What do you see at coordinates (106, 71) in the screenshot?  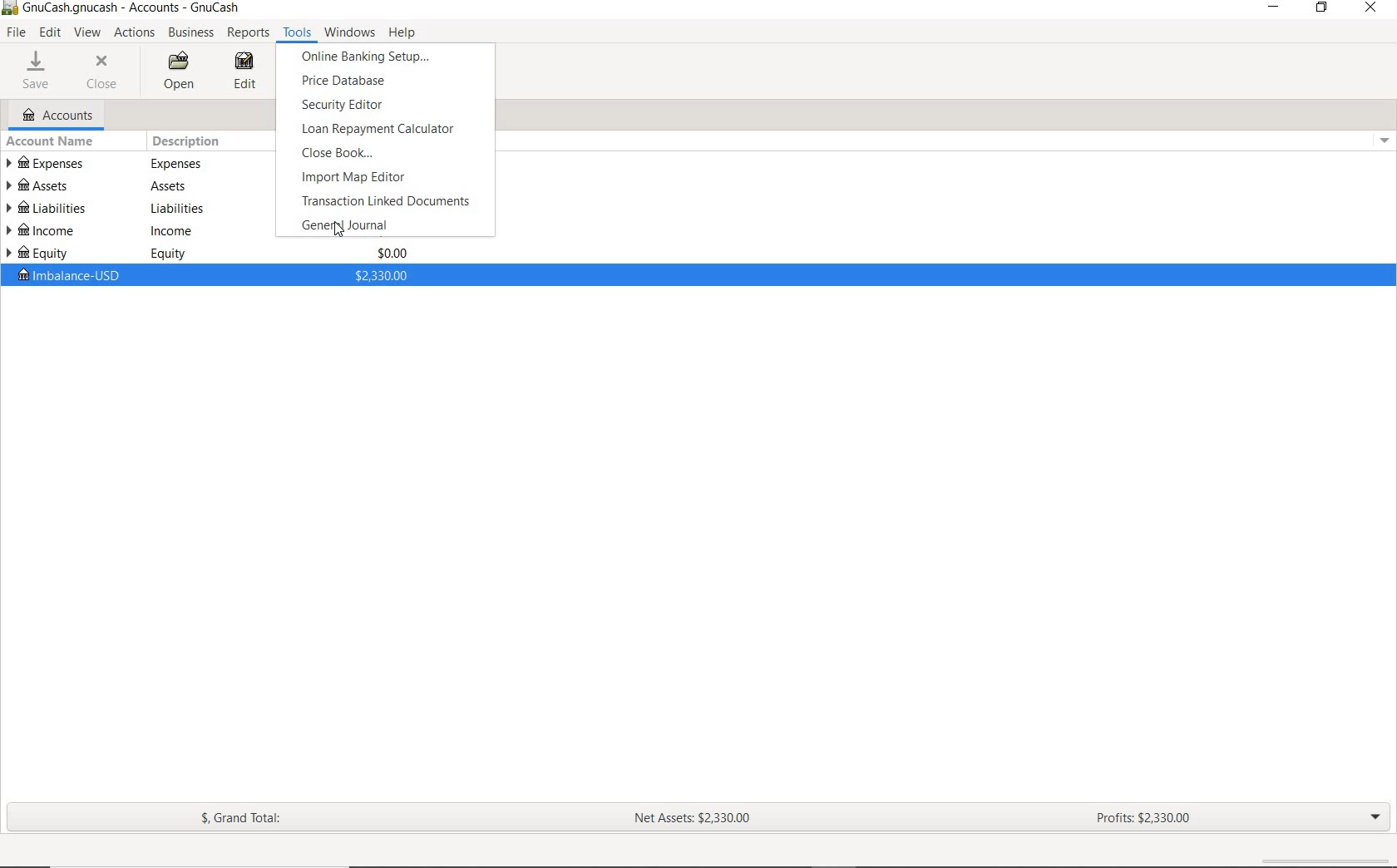 I see `CLOSE` at bounding box center [106, 71].